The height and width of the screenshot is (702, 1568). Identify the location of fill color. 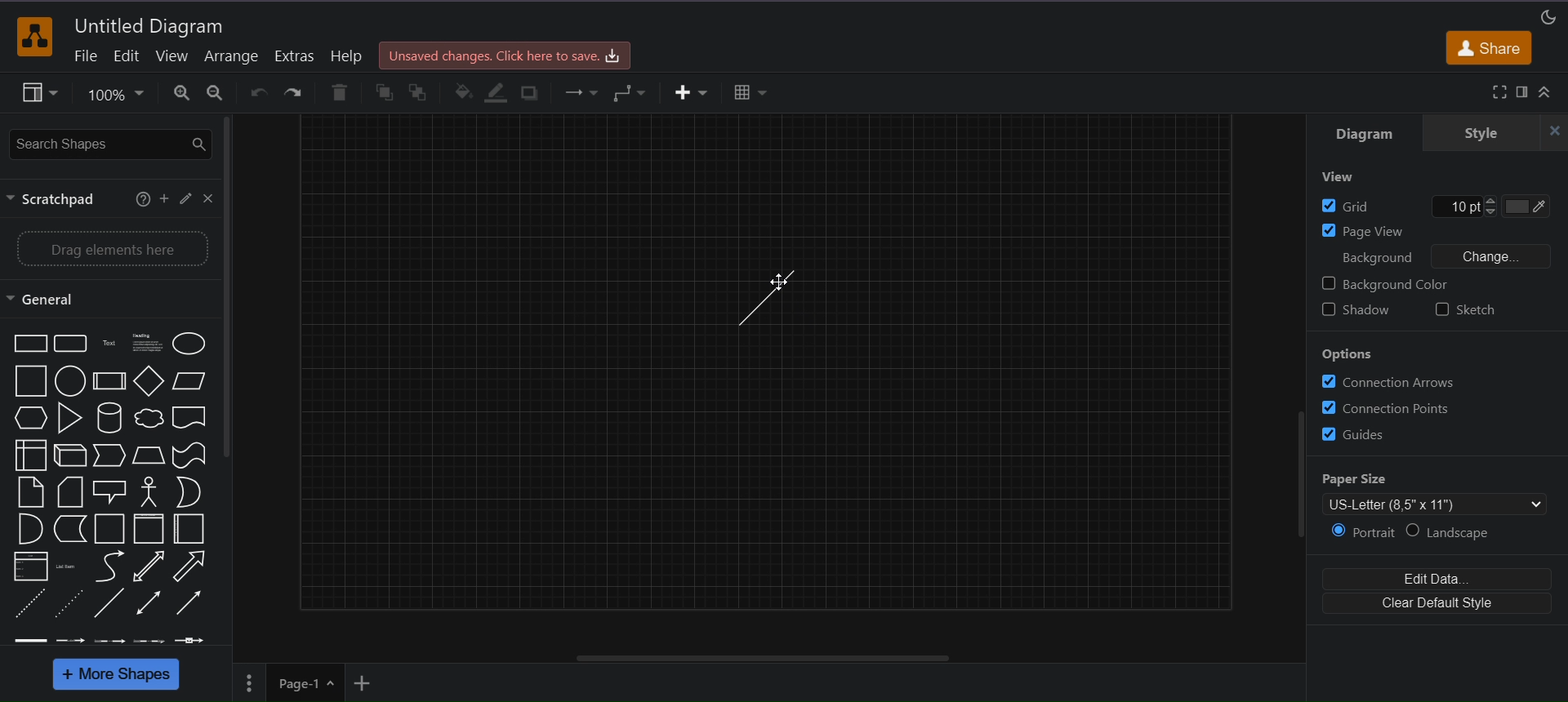
(461, 90).